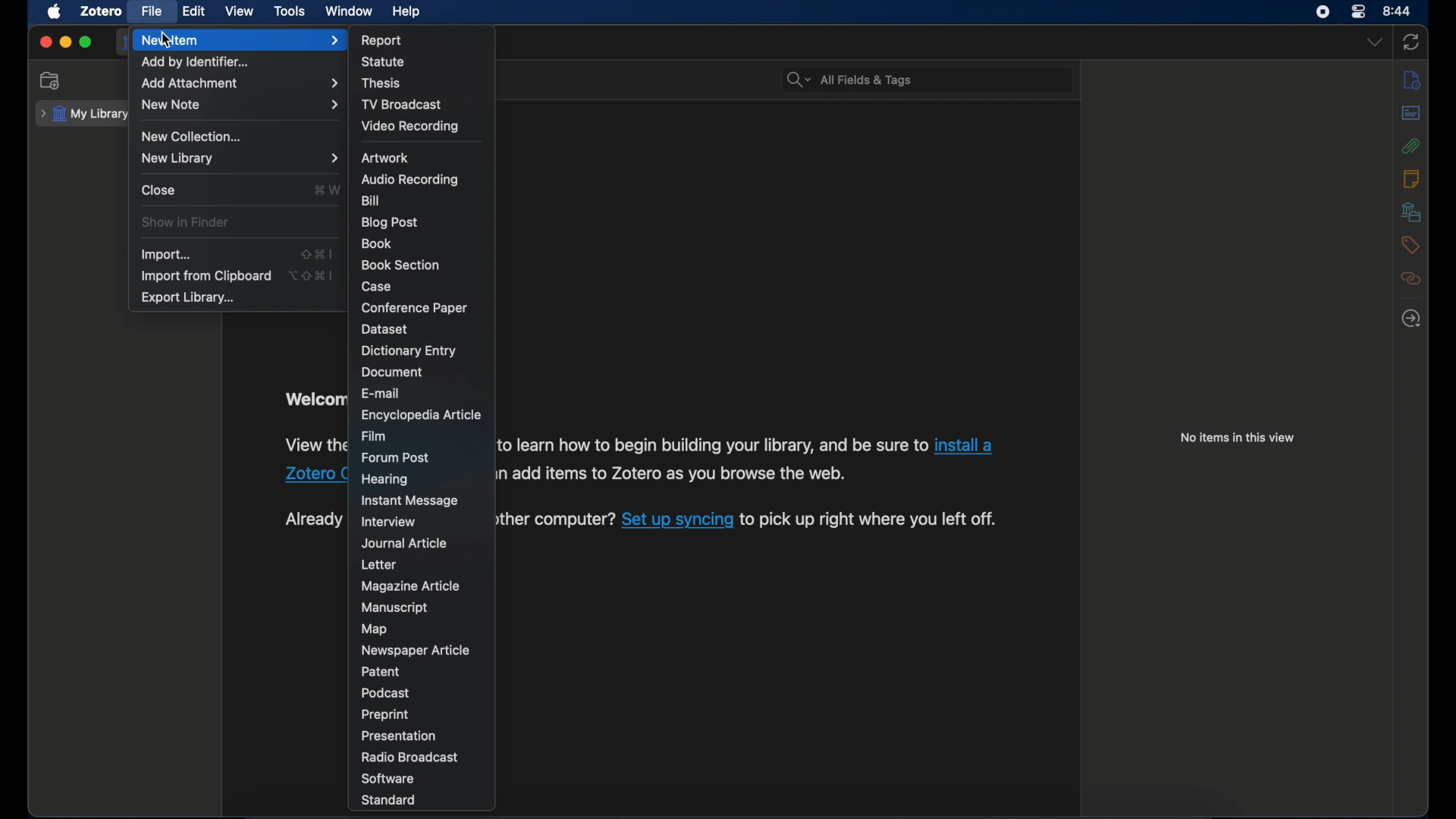 The image size is (1456, 819). What do you see at coordinates (83, 115) in the screenshot?
I see `my library` at bounding box center [83, 115].